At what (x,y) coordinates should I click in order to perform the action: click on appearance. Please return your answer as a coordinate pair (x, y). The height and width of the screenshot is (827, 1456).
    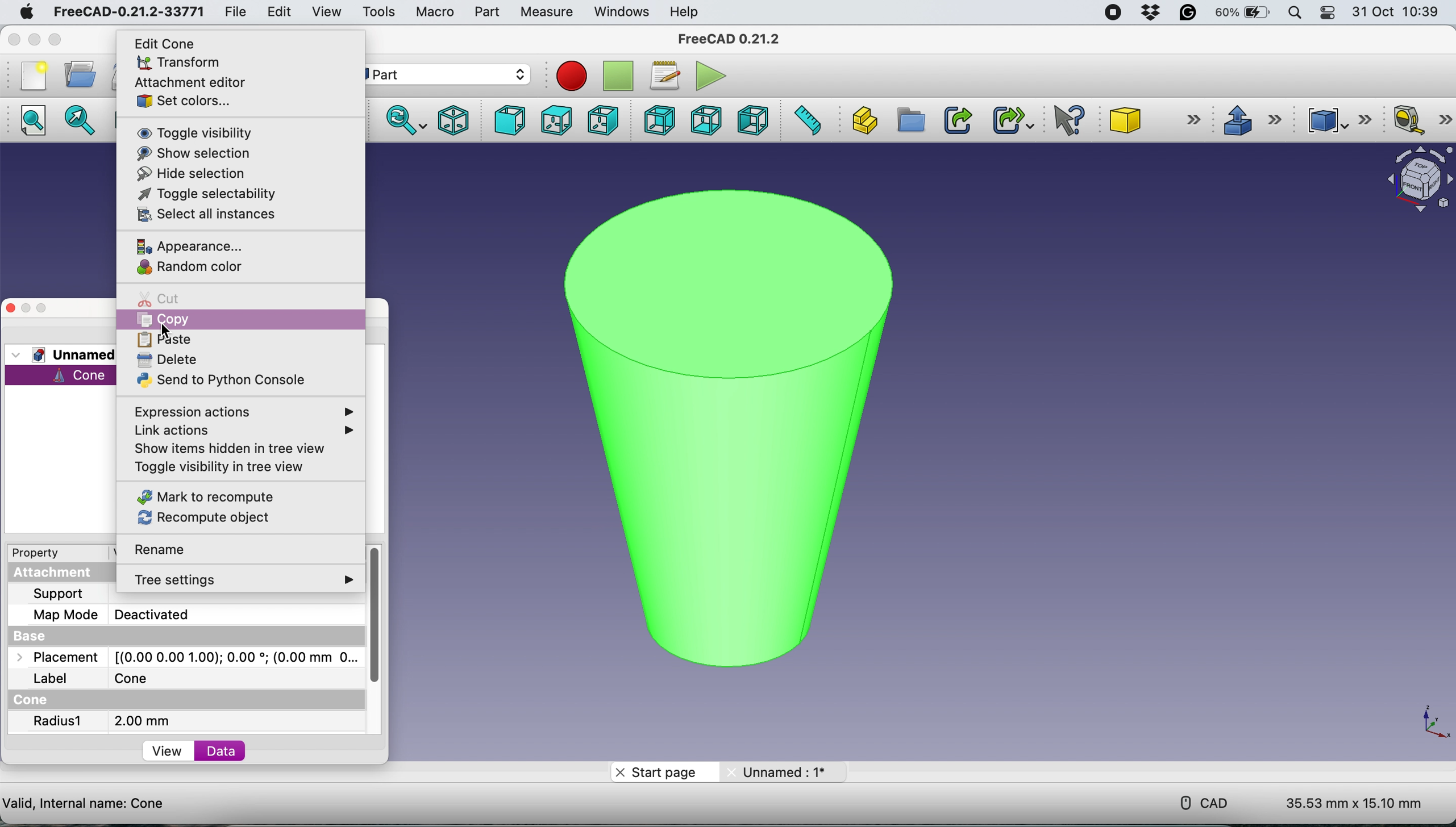
    Looking at the image, I should click on (194, 245).